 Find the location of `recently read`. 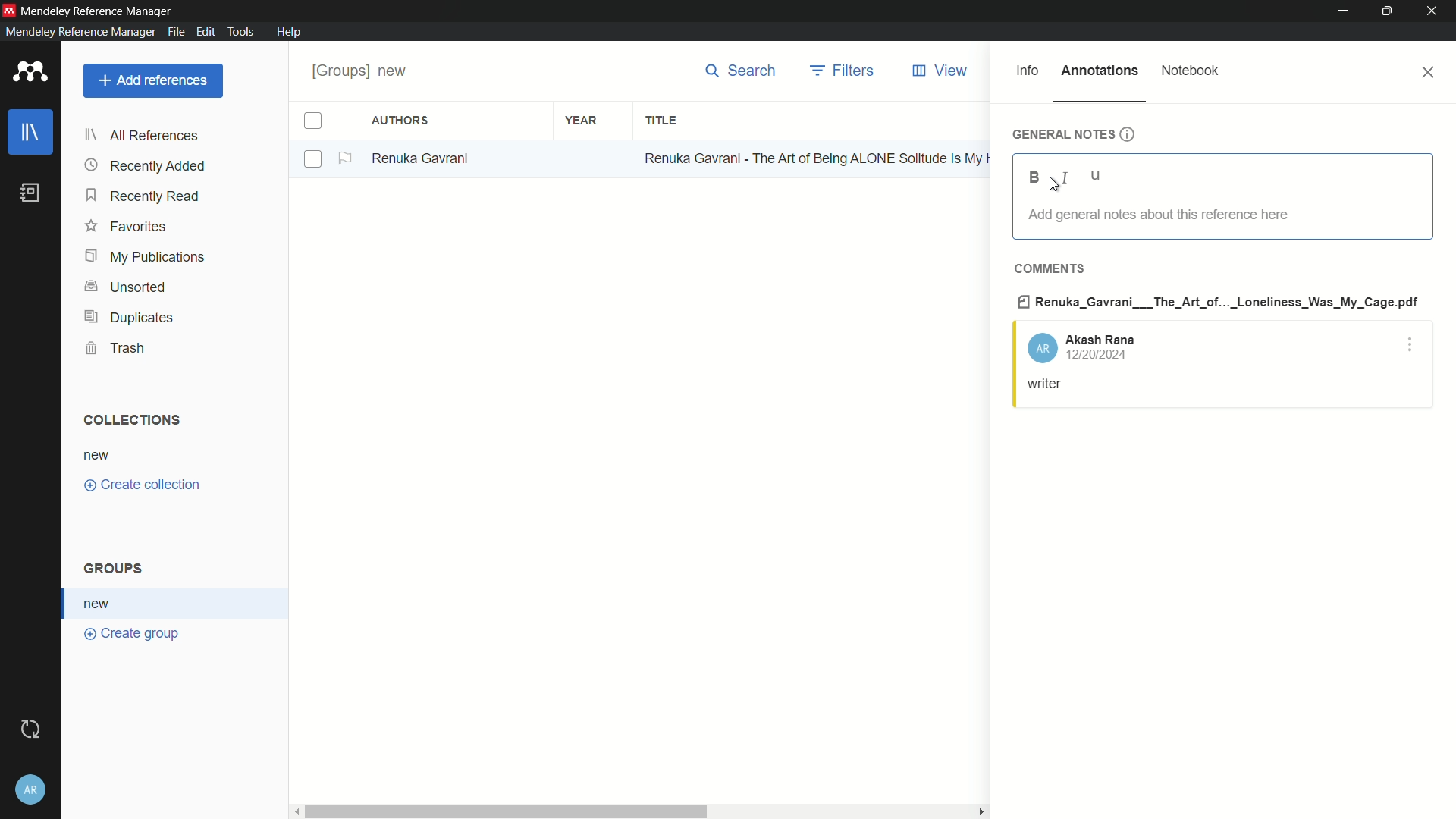

recently read is located at coordinates (145, 196).